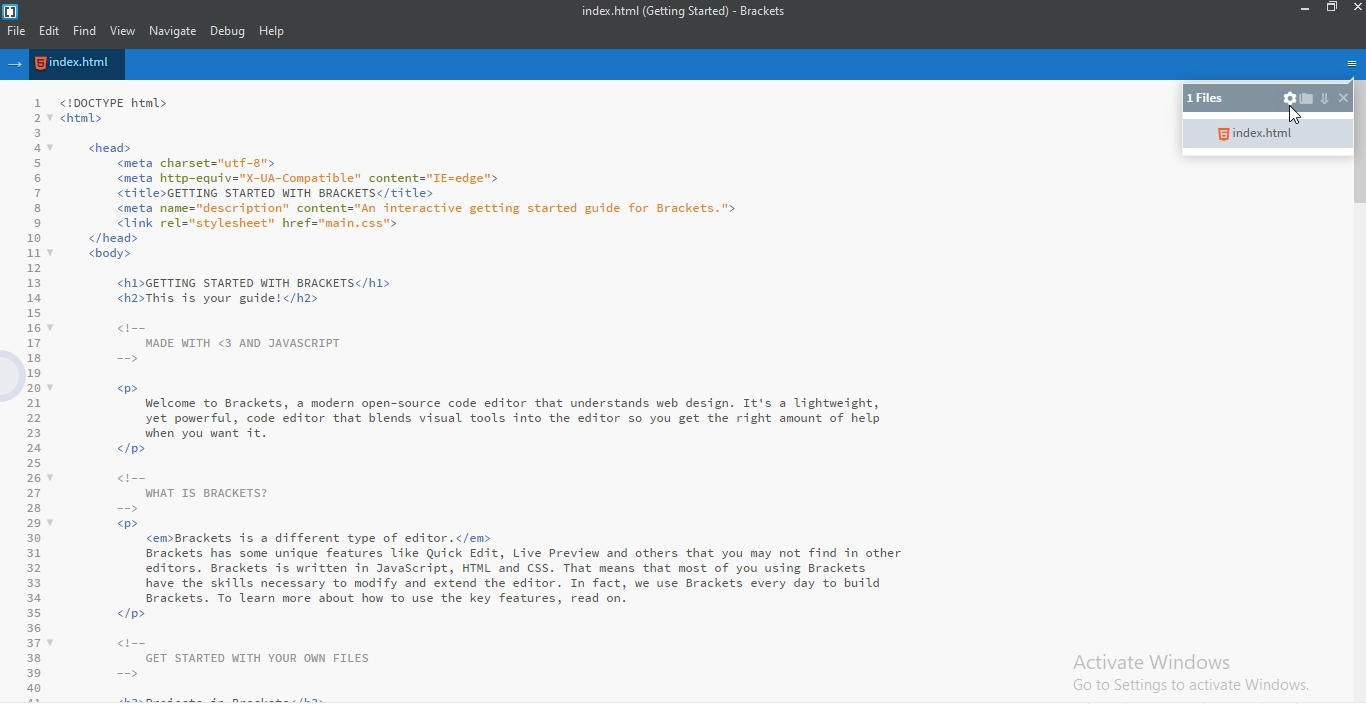 The height and width of the screenshot is (704, 1366). What do you see at coordinates (15, 31) in the screenshot?
I see `file` at bounding box center [15, 31].